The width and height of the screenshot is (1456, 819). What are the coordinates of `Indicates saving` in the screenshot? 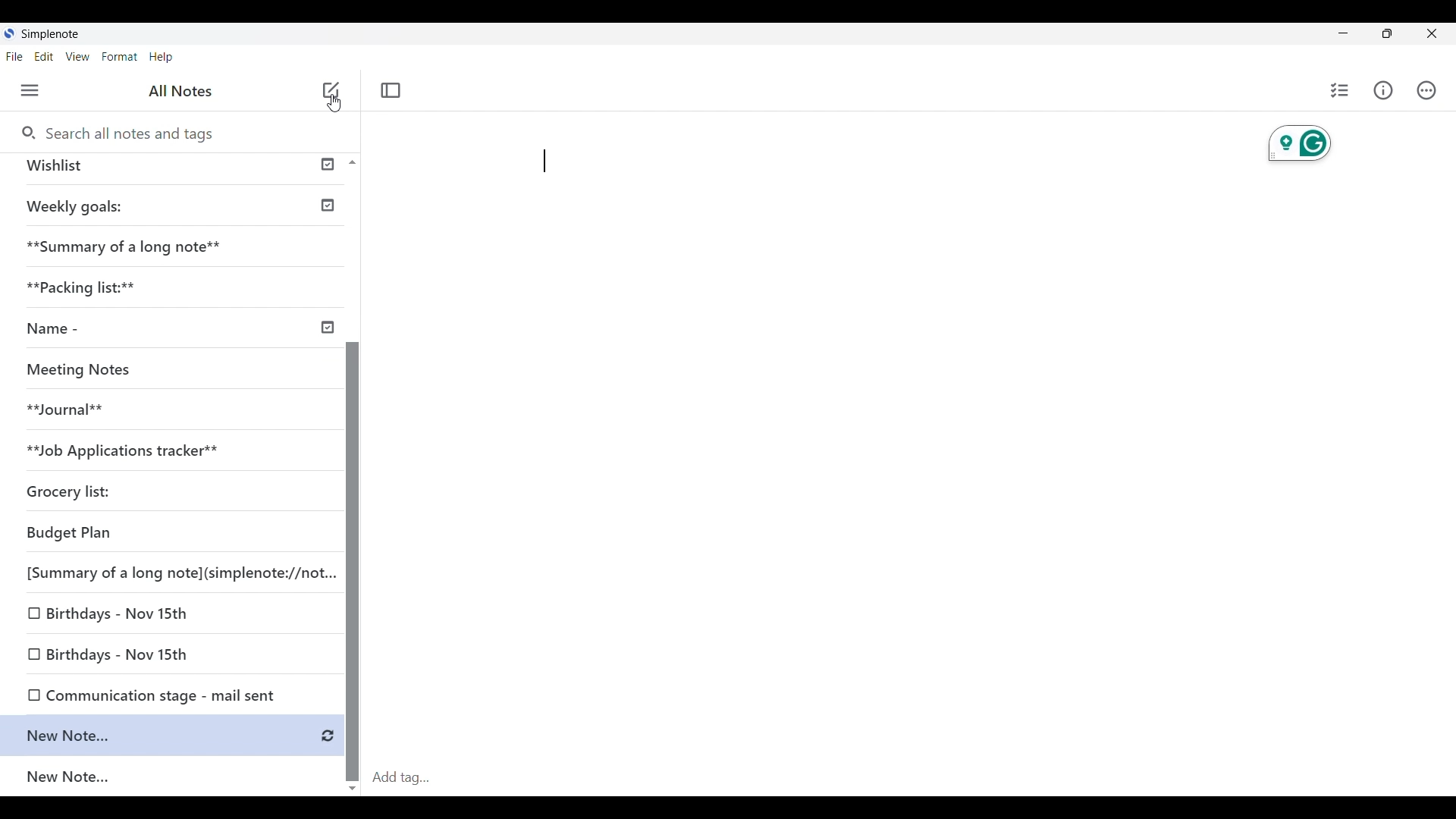 It's located at (328, 736).